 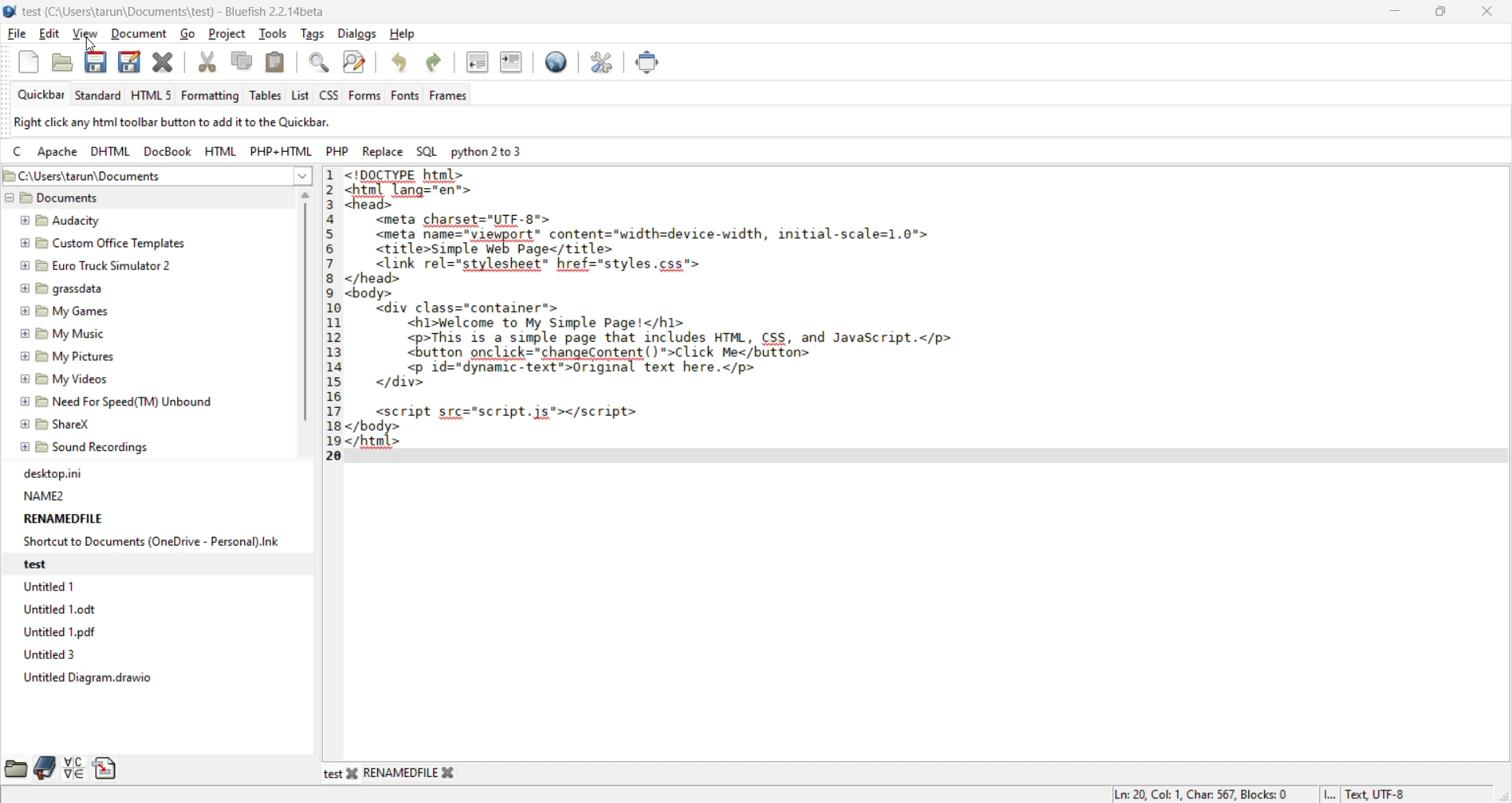 What do you see at coordinates (60, 290) in the screenshot?
I see `# 9 grassdata` at bounding box center [60, 290].